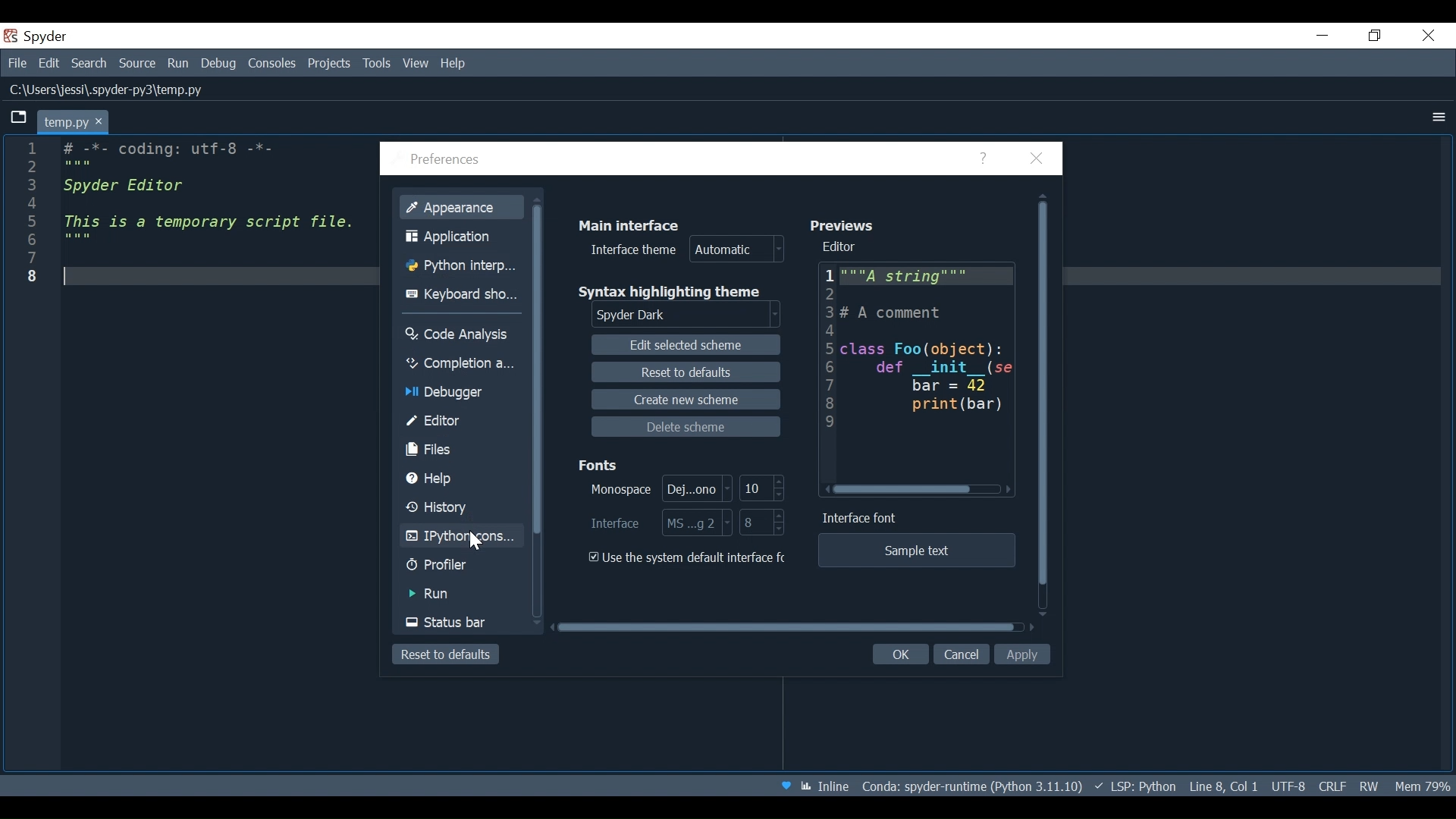 The height and width of the screenshot is (819, 1456). Describe the element at coordinates (460, 63) in the screenshot. I see `Help` at that location.